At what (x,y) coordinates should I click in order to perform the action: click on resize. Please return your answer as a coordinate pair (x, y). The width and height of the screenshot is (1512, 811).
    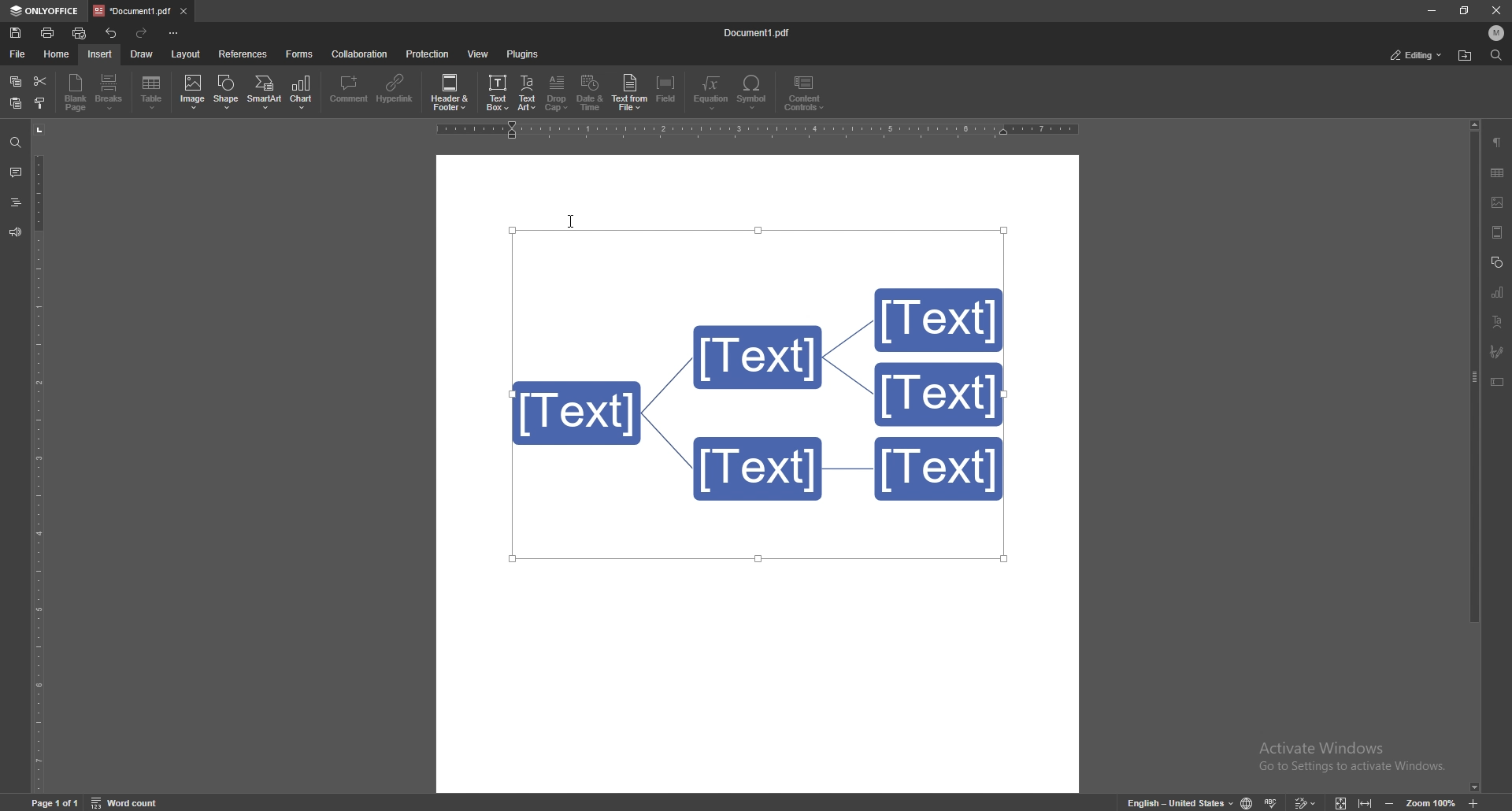
    Looking at the image, I should click on (1464, 10).